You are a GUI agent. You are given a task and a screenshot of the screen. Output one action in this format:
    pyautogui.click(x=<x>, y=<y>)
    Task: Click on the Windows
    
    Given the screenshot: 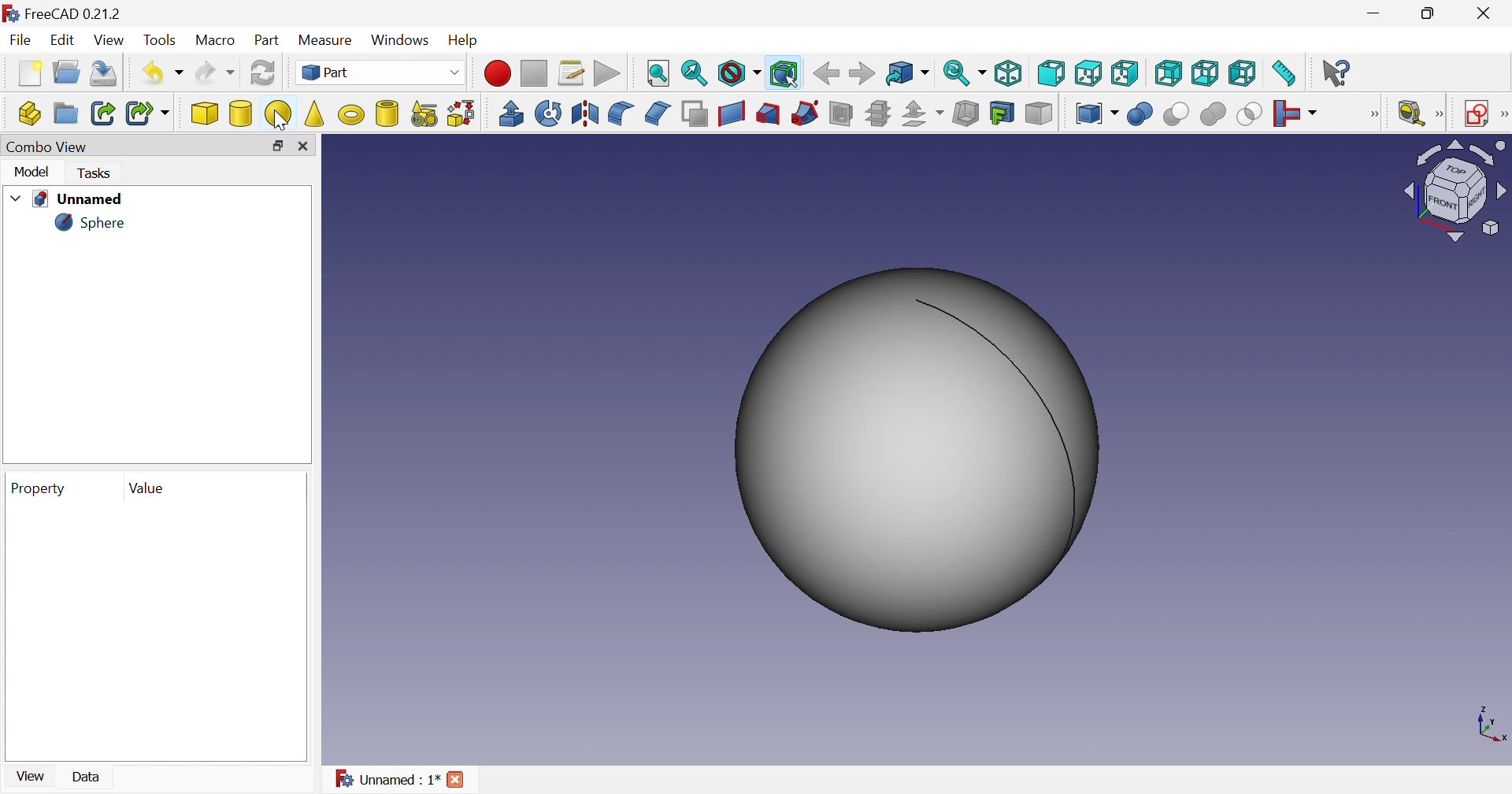 What is the action you would take?
    pyautogui.click(x=401, y=40)
    